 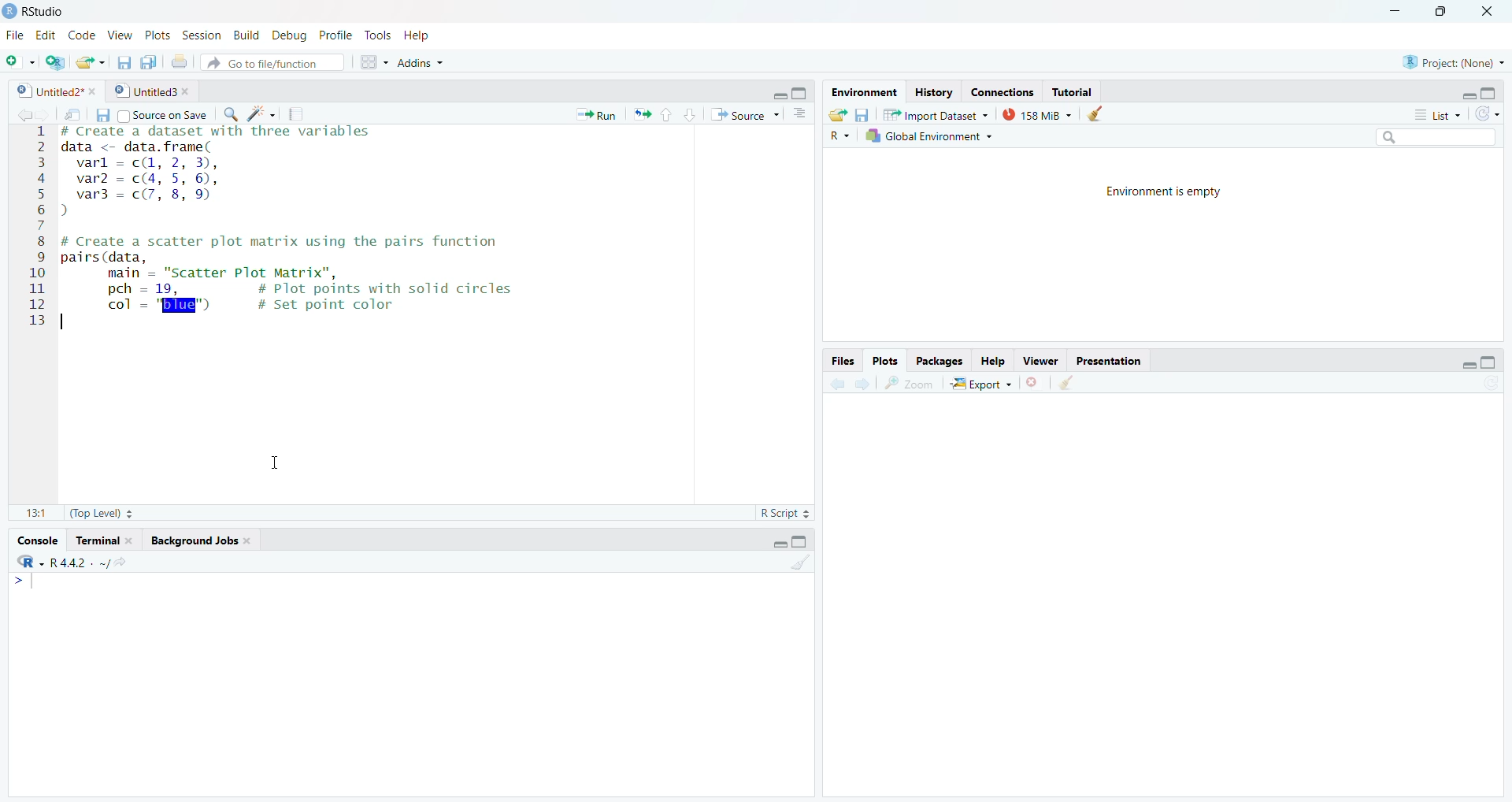 What do you see at coordinates (1075, 385) in the screenshot?
I see `Clear all viewer items` at bounding box center [1075, 385].